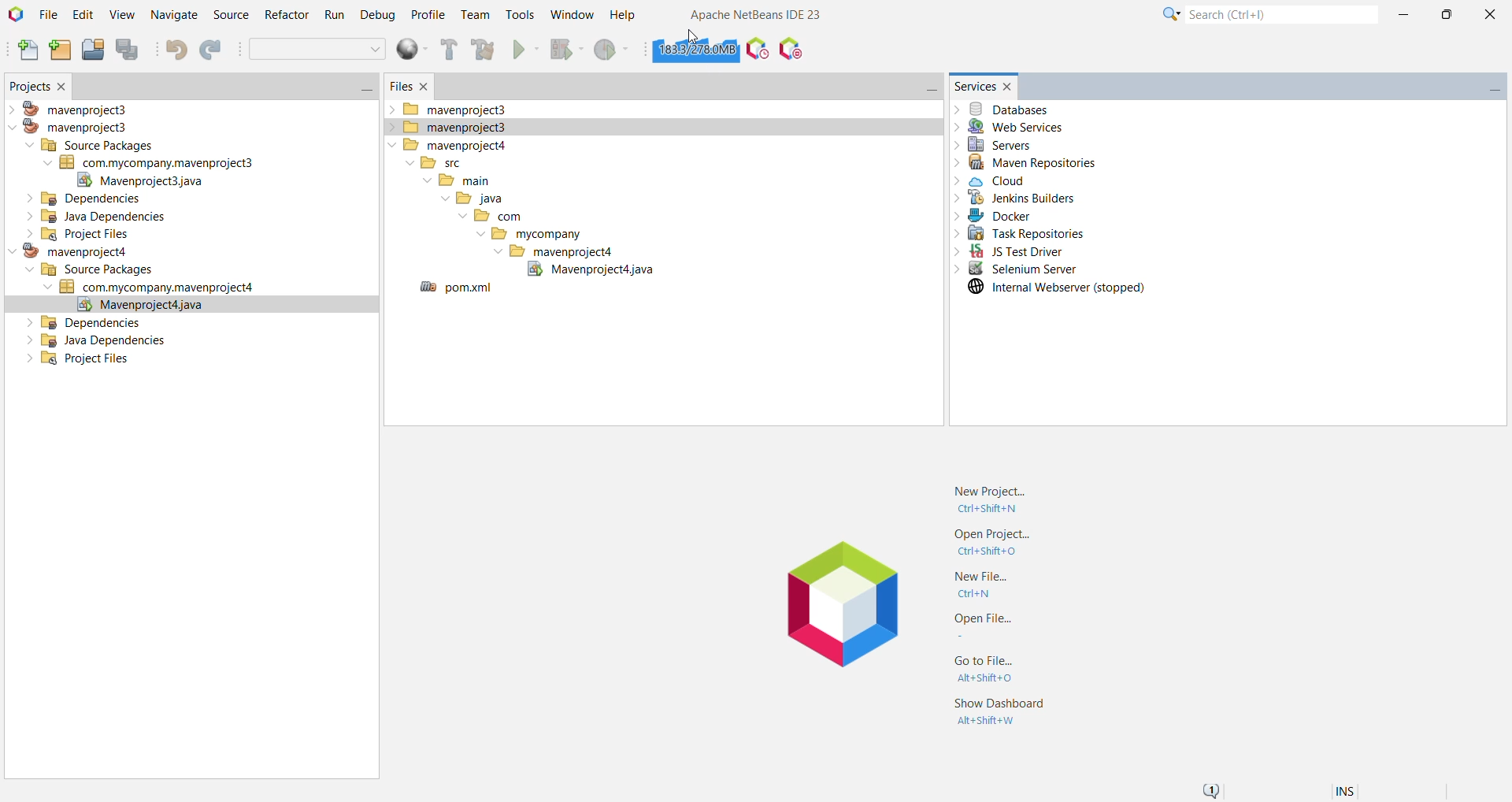 This screenshot has width=1512, height=802. I want to click on Servers, so click(996, 146).